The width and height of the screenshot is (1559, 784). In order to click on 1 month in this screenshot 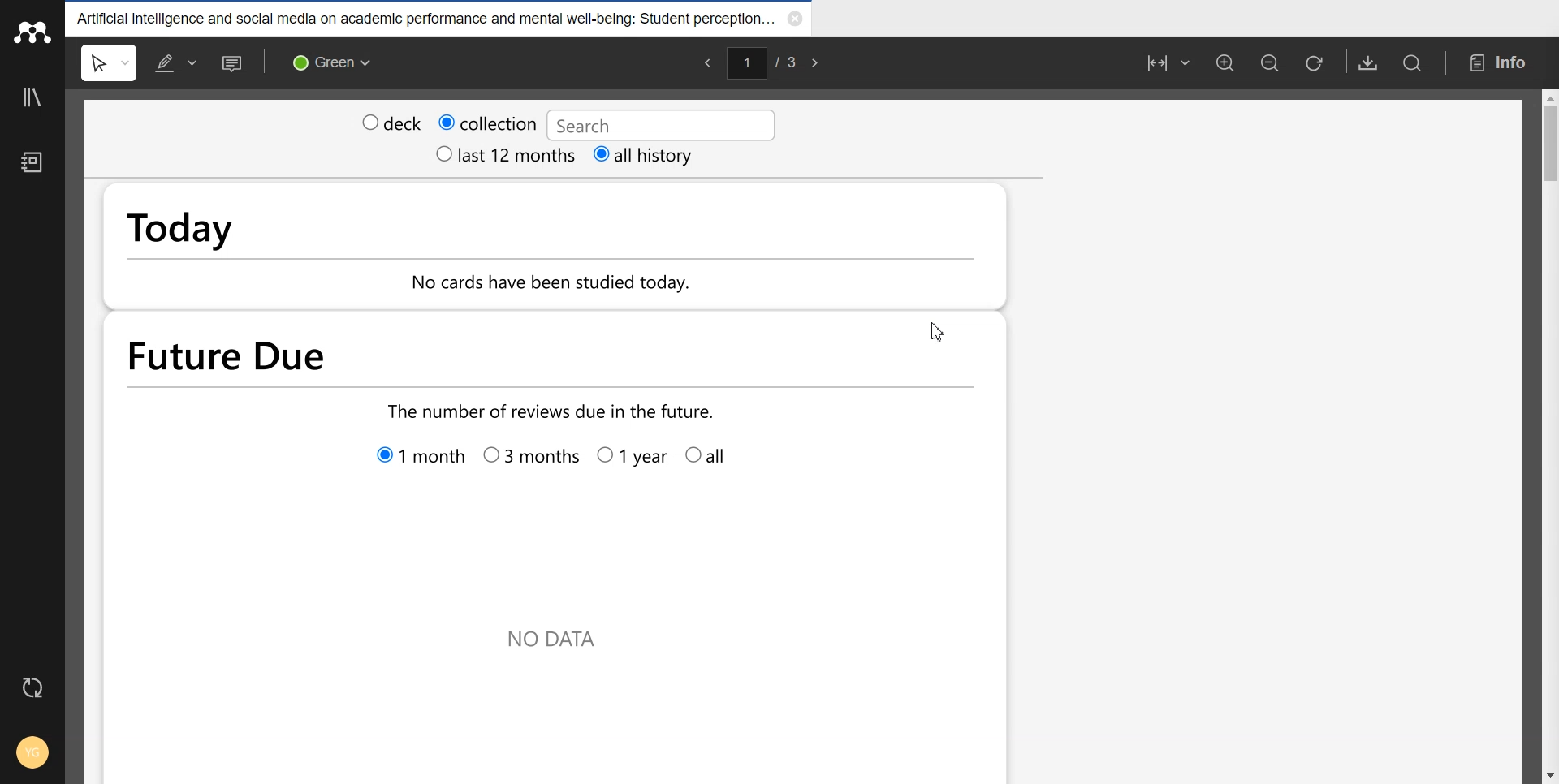, I will do `click(419, 459)`.